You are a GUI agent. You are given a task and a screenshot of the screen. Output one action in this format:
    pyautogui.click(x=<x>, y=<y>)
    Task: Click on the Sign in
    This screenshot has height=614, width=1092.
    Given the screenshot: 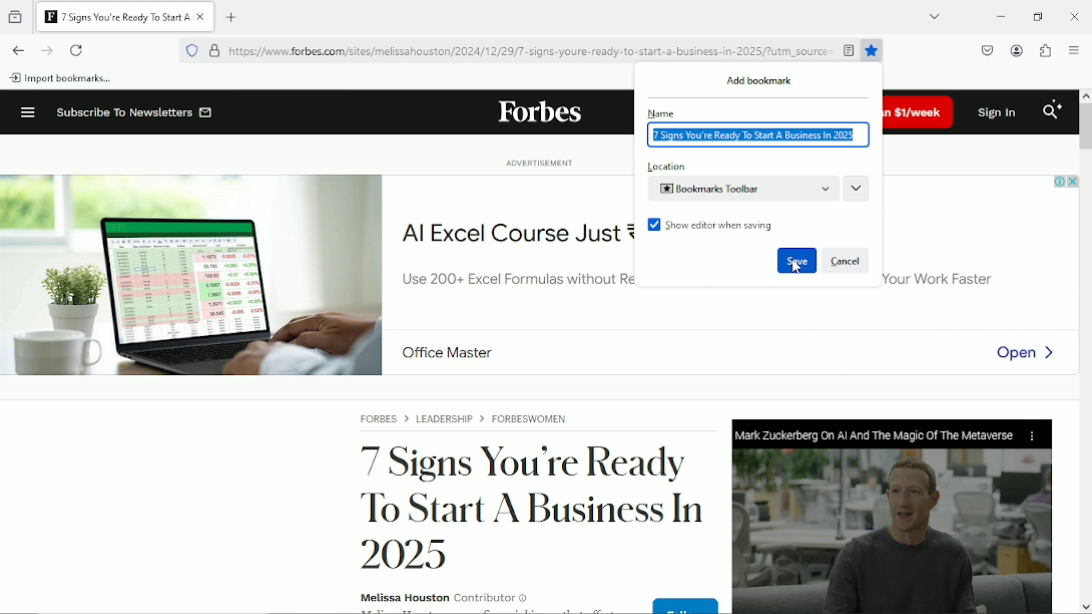 What is the action you would take?
    pyautogui.click(x=999, y=112)
    